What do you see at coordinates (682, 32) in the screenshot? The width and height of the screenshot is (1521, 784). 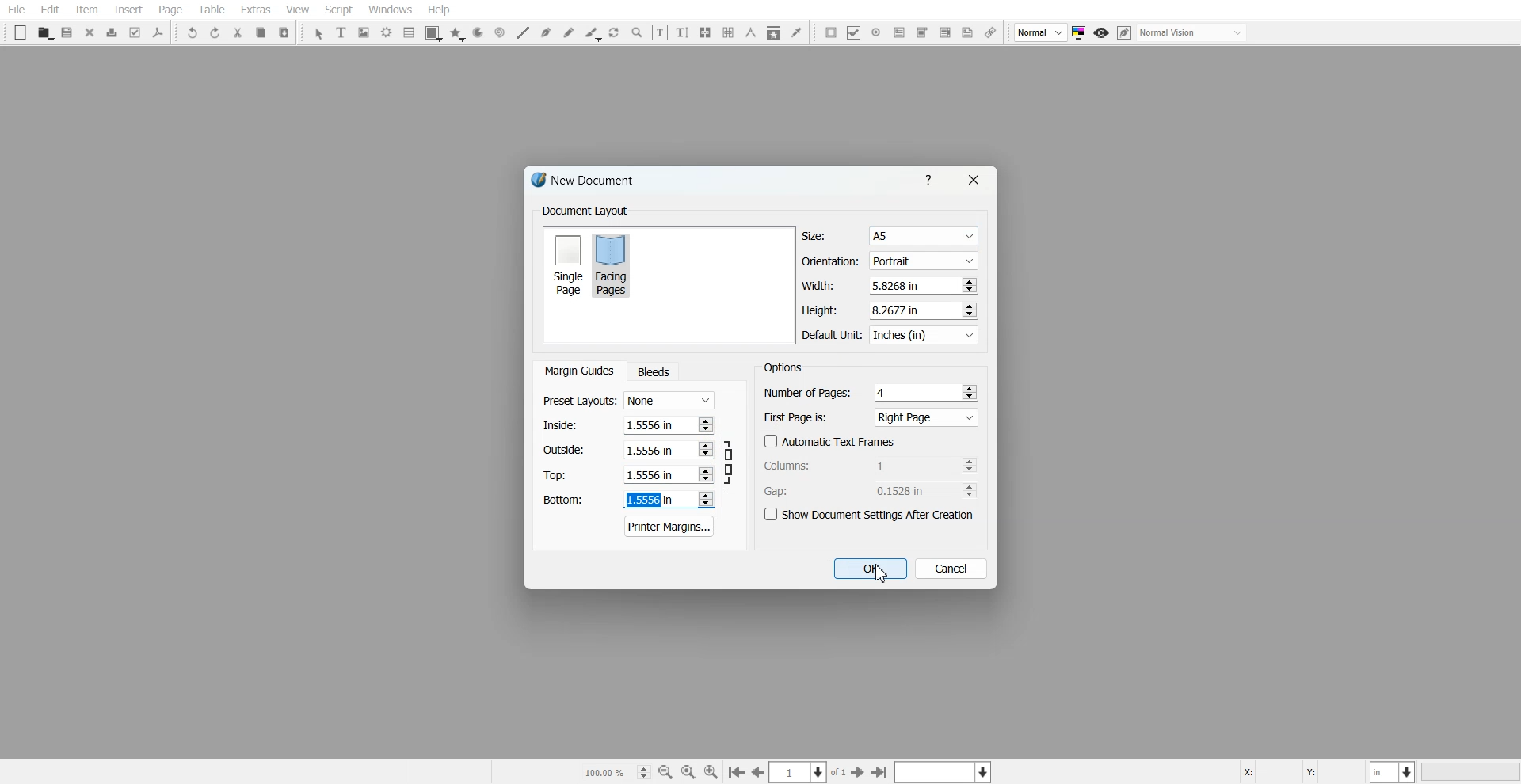 I see `Edit Text` at bounding box center [682, 32].